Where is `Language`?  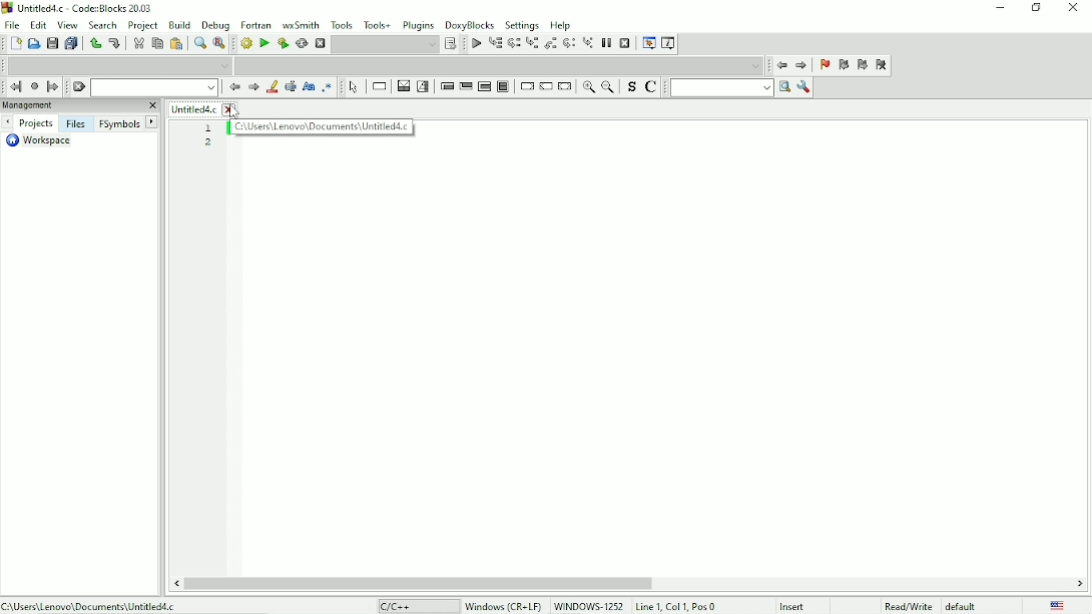 Language is located at coordinates (1060, 605).